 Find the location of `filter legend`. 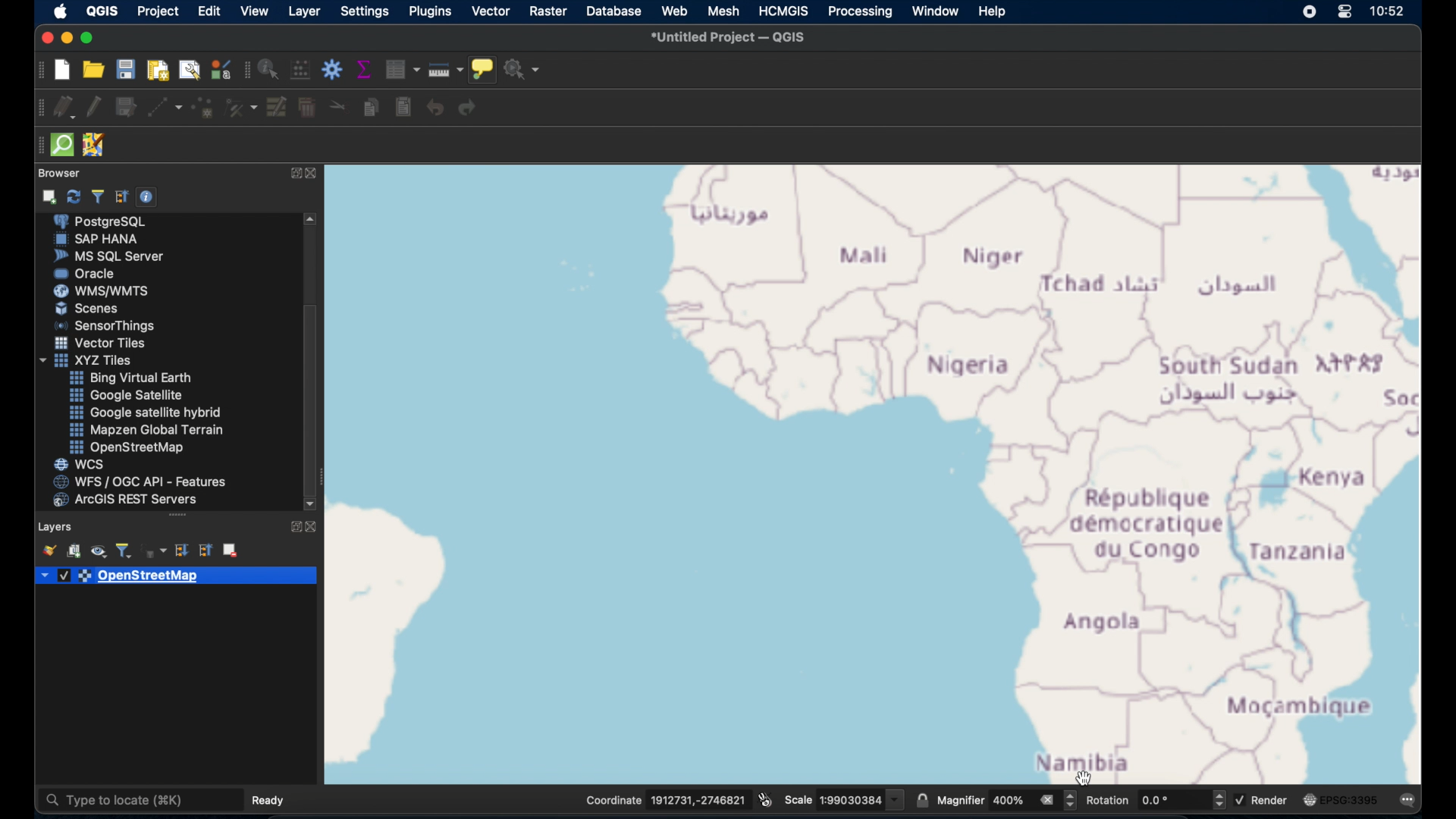

filter legend is located at coordinates (125, 549).